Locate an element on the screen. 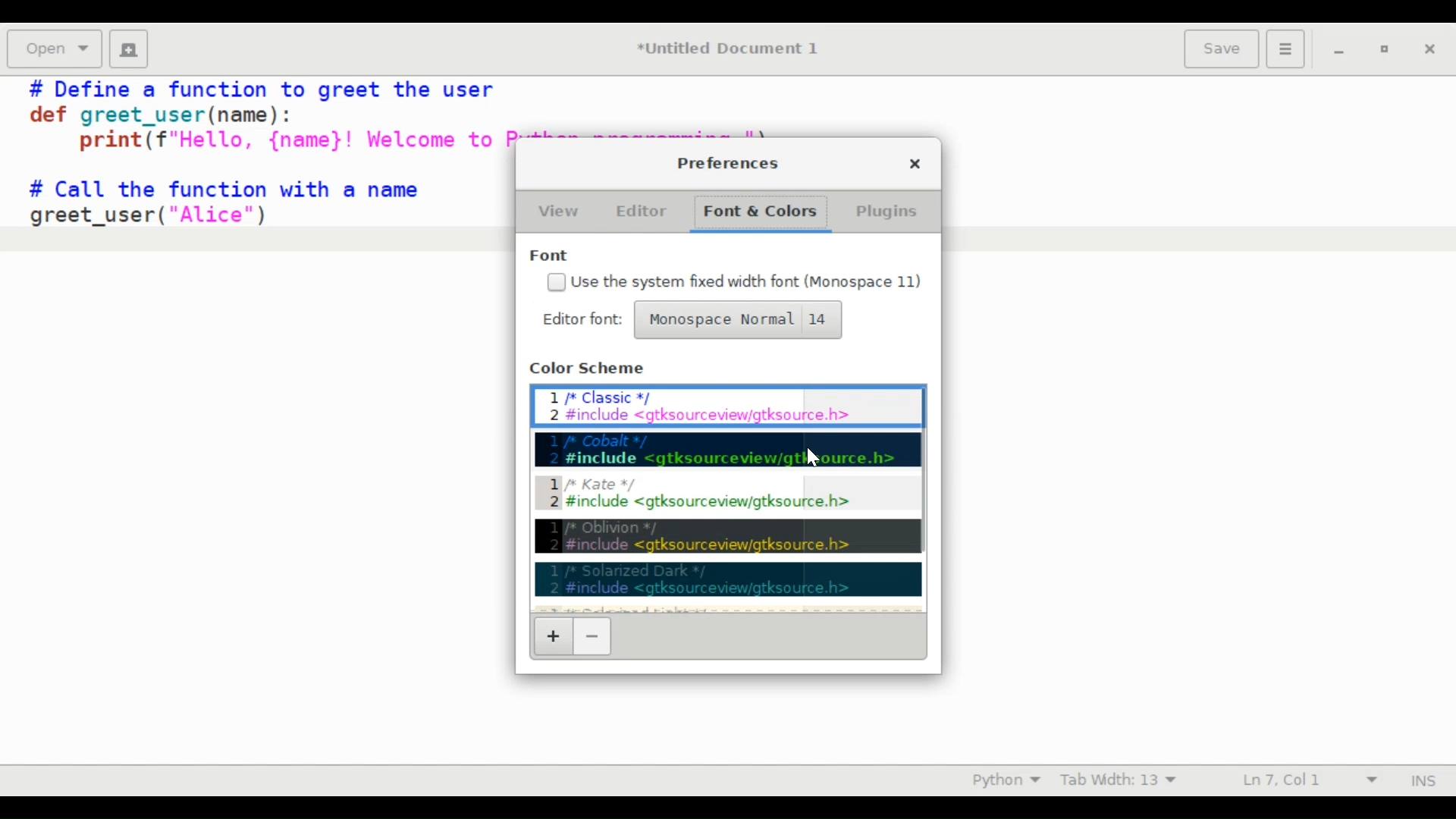 Image resolution: width=1456 pixels, height=819 pixels. Cobalt is located at coordinates (730, 450).